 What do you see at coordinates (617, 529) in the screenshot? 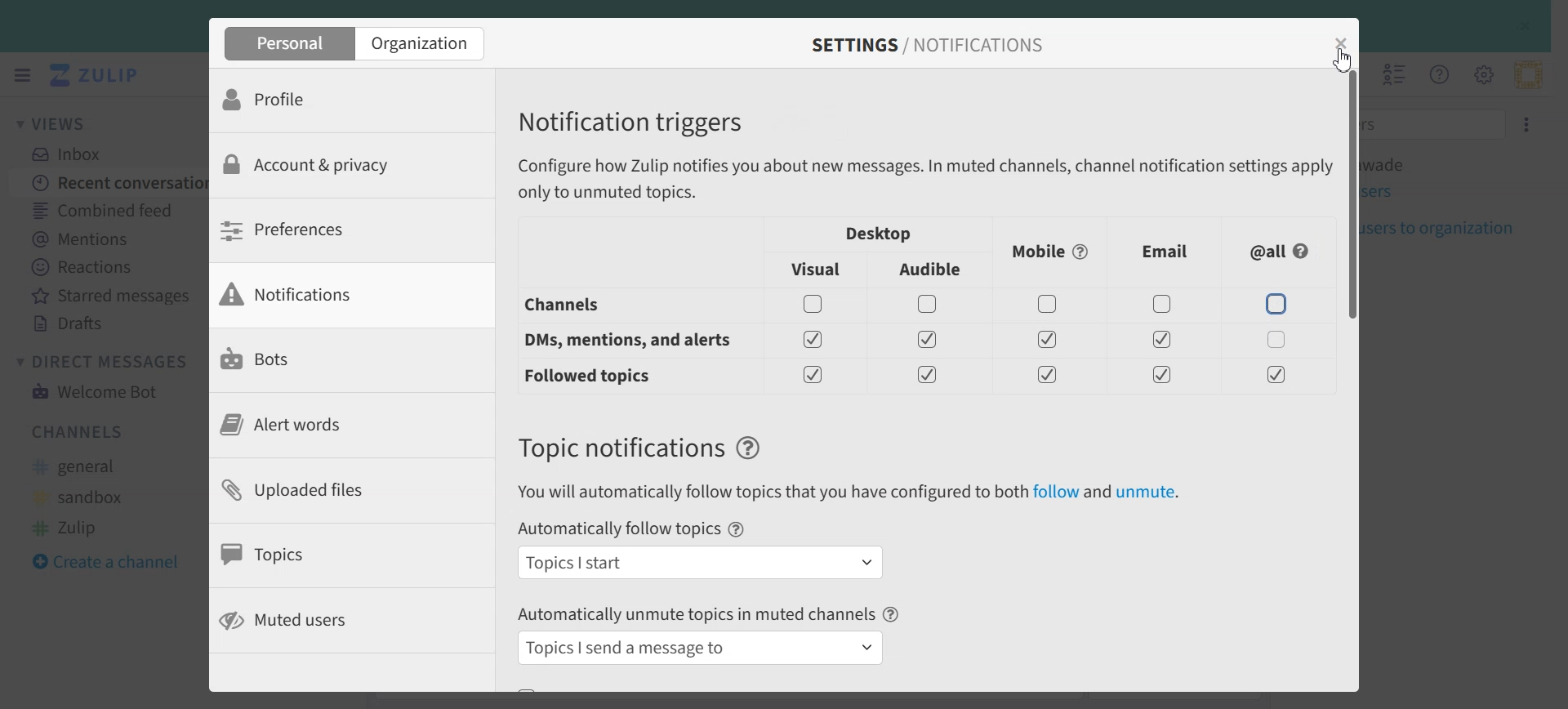
I see `Automatically follow topics` at bounding box center [617, 529].